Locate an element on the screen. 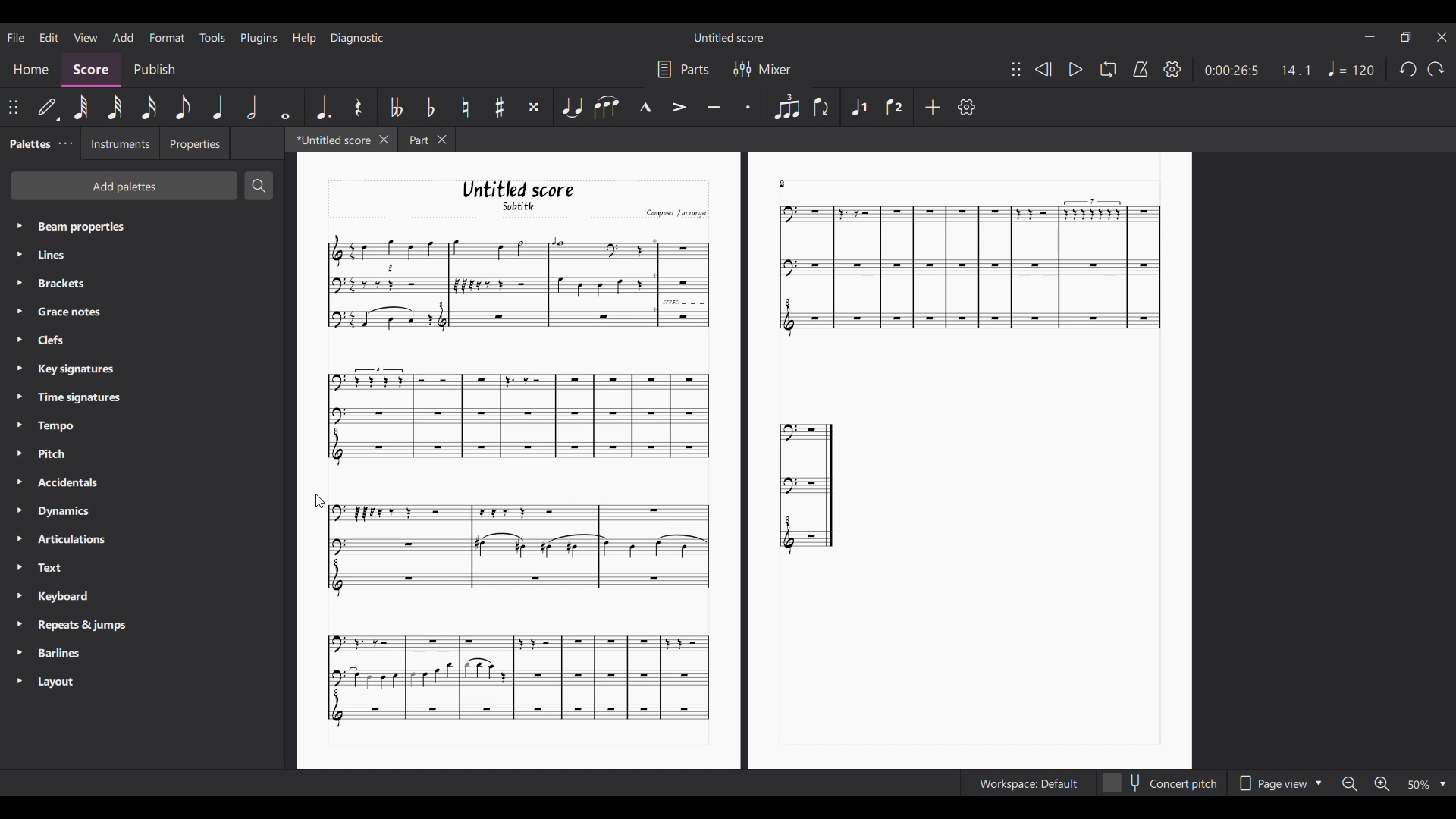 The width and height of the screenshot is (1456, 819). Page view  is located at coordinates (1279, 783).